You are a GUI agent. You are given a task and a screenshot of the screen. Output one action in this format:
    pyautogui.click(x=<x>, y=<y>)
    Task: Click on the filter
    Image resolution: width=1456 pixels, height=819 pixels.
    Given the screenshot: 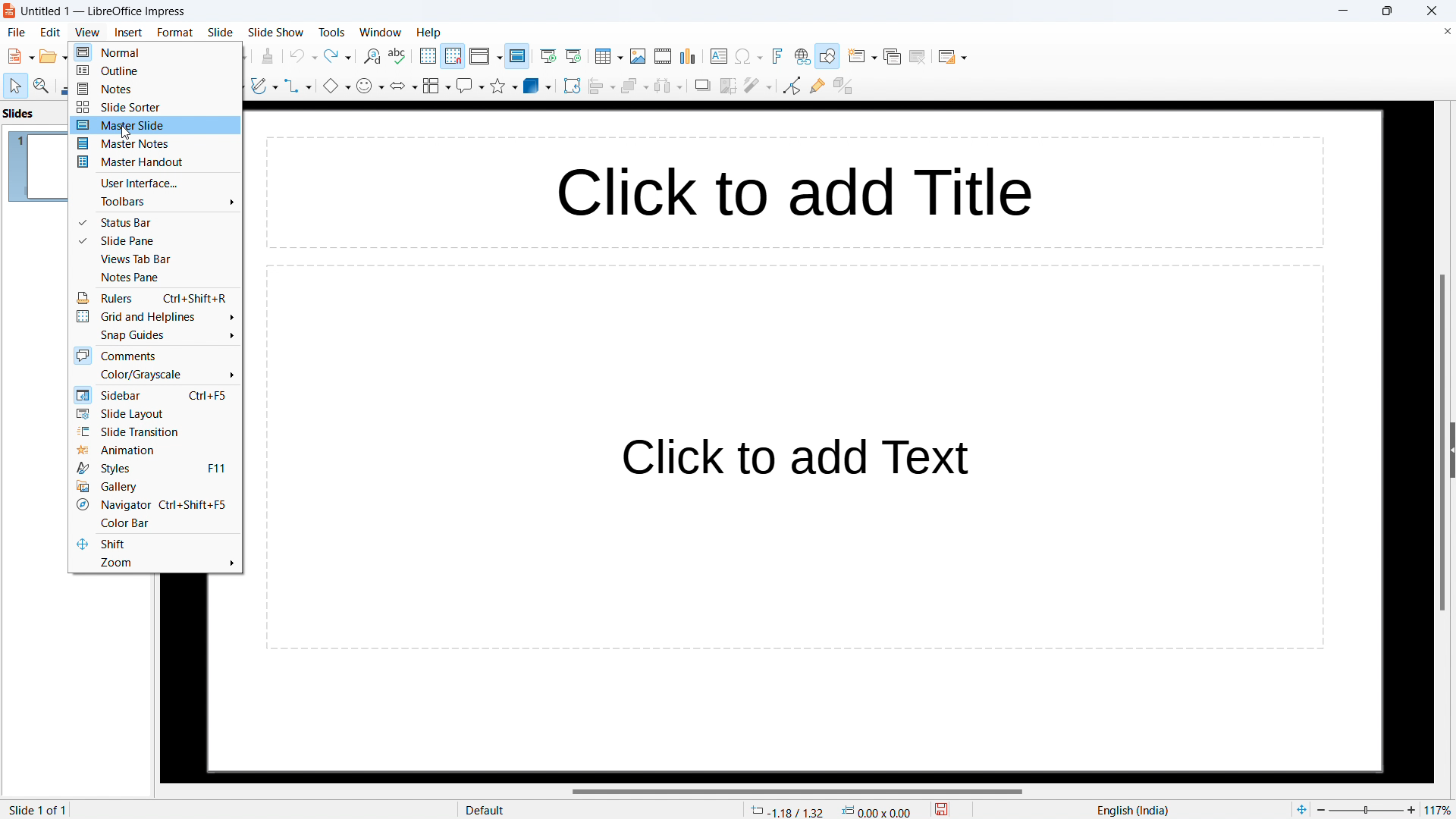 What is the action you would take?
    pyautogui.click(x=758, y=85)
    